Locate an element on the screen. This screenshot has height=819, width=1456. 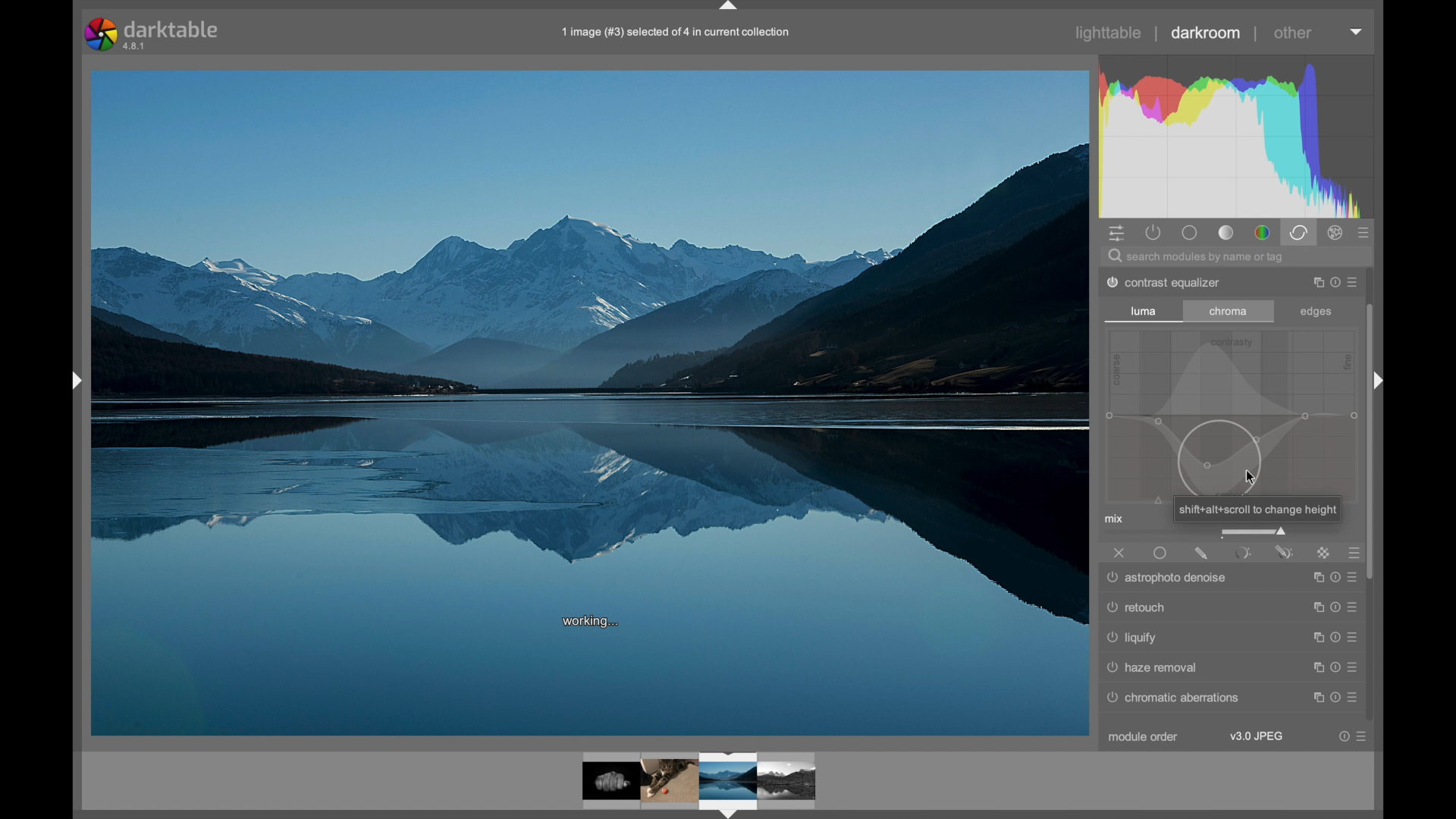
raw denoise is located at coordinates (1150, 667).